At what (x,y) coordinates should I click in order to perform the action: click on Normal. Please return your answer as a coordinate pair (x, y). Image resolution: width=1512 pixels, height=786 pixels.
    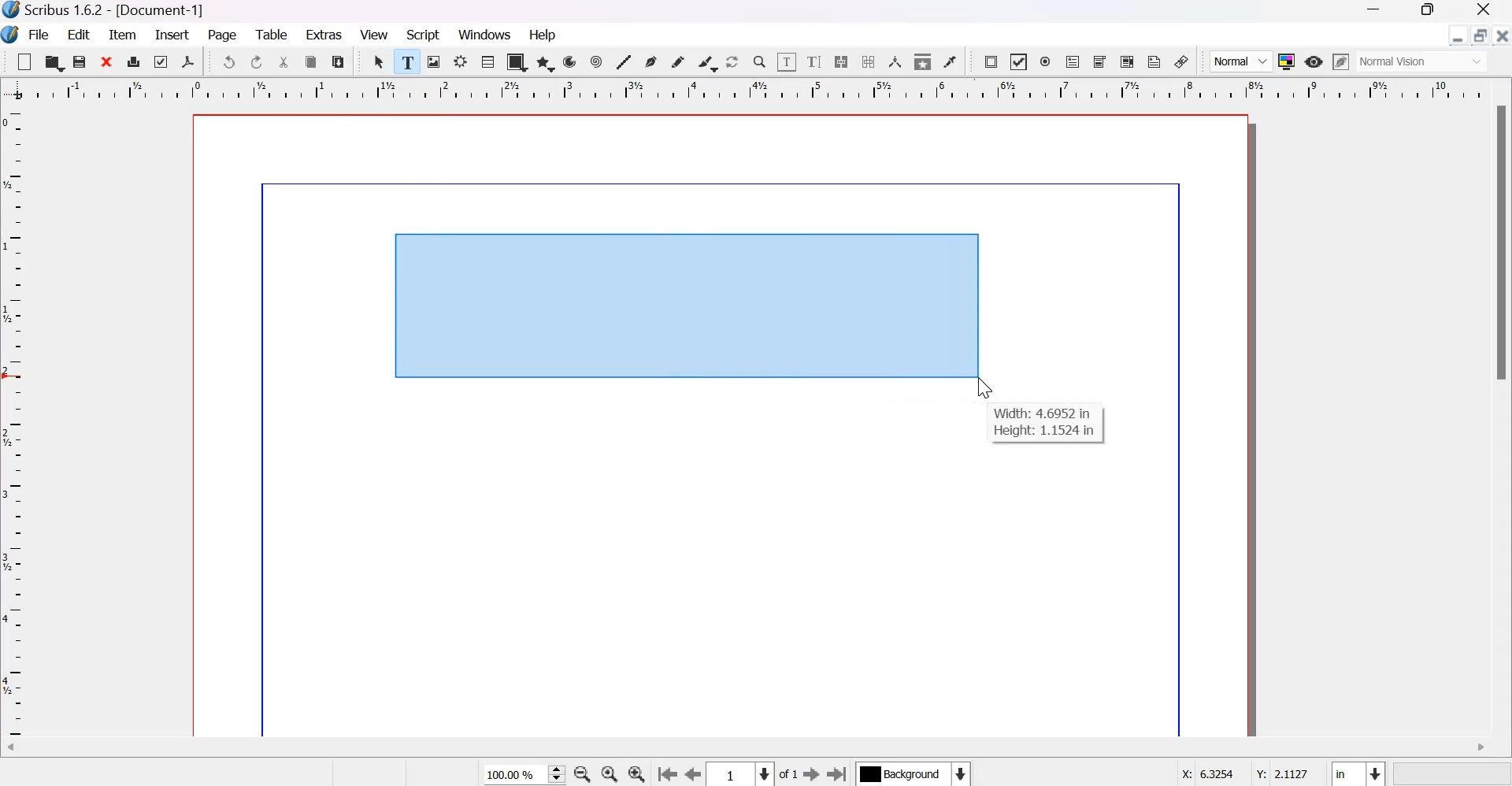
    Looking at the image, I should click on (1241, 61).